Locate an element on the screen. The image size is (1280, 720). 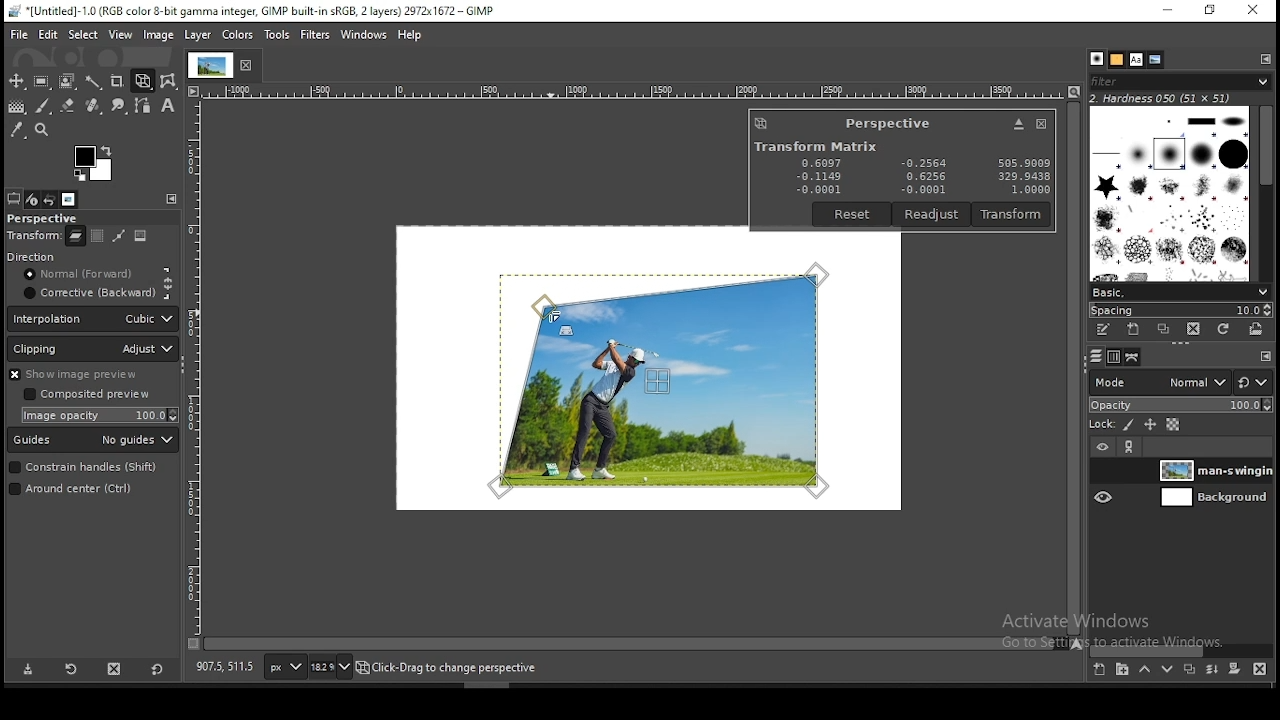
brushes is located at coordinates (1095, 59).